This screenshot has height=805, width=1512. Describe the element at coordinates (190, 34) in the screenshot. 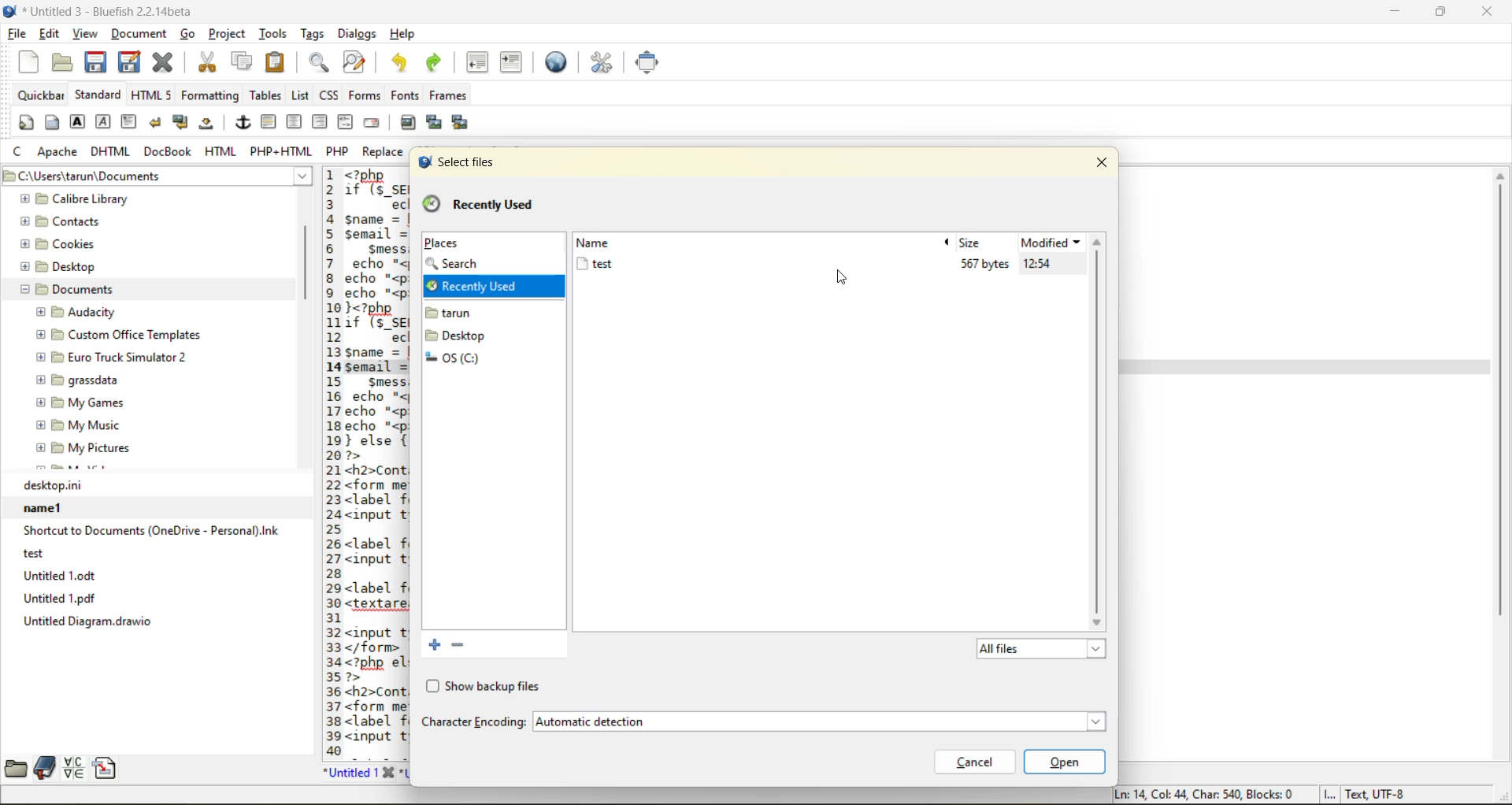

I see `go` at that location.